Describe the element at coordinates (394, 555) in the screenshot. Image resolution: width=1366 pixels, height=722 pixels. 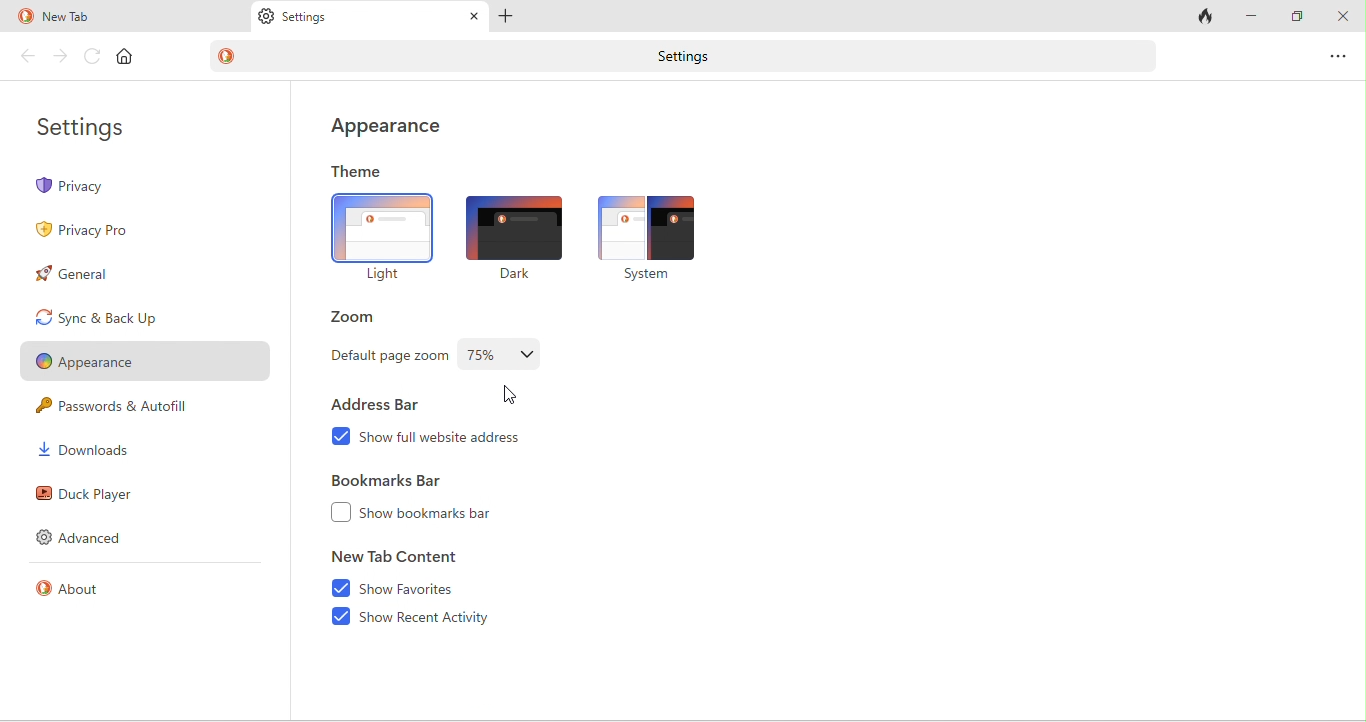
I see `new tab content` at that location.